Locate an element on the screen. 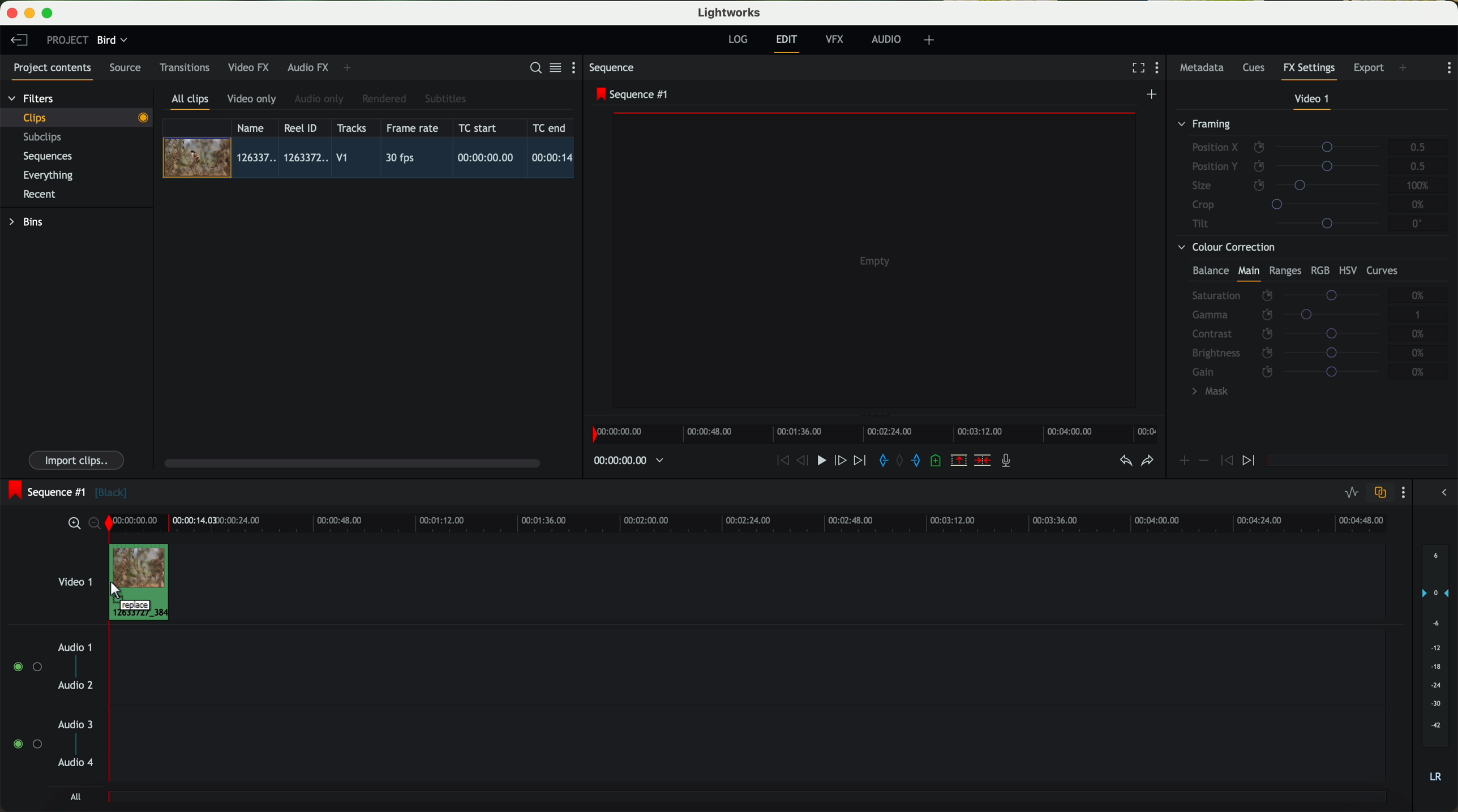 This screenshot has height=812, width=1458. 0% is located at coordinates (1418, 372).